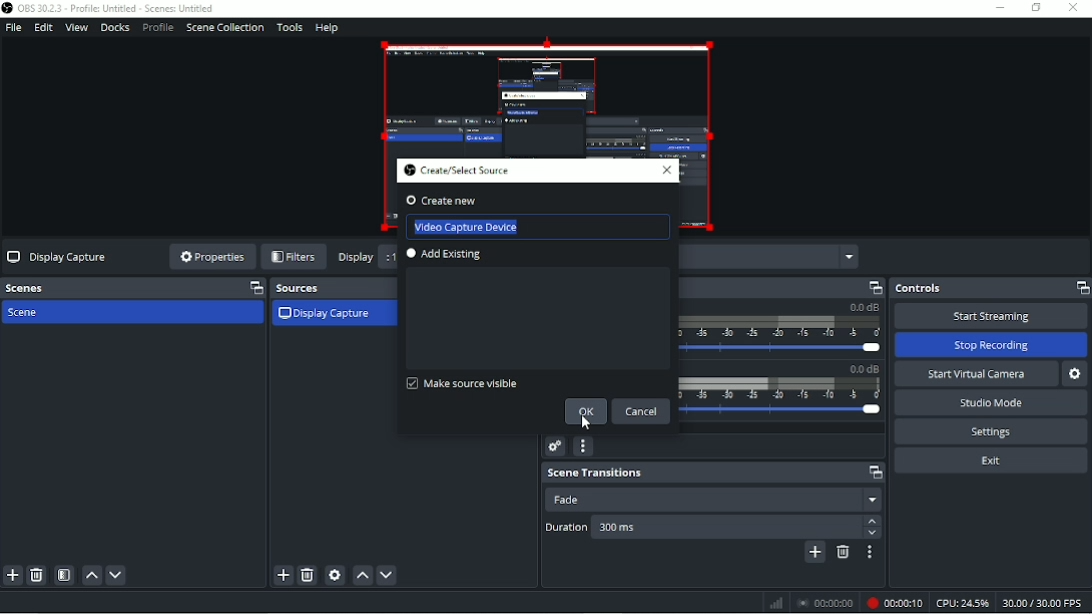 The width and height of the screenshot is (1092, 614). I want to click on Scene, so click(40, 312).